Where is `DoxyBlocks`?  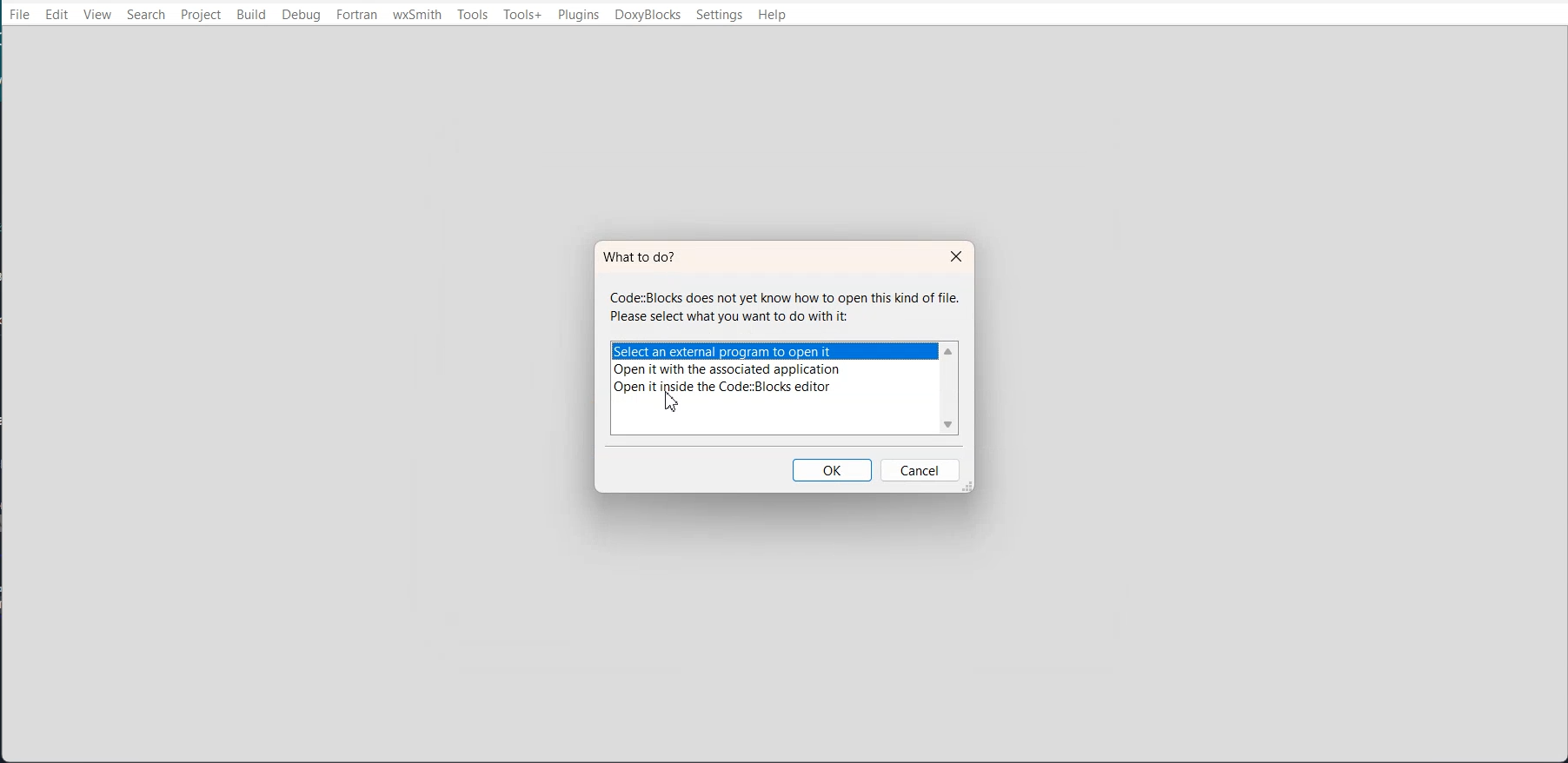 DoxyBlocks is located at coordinates (648, 15).